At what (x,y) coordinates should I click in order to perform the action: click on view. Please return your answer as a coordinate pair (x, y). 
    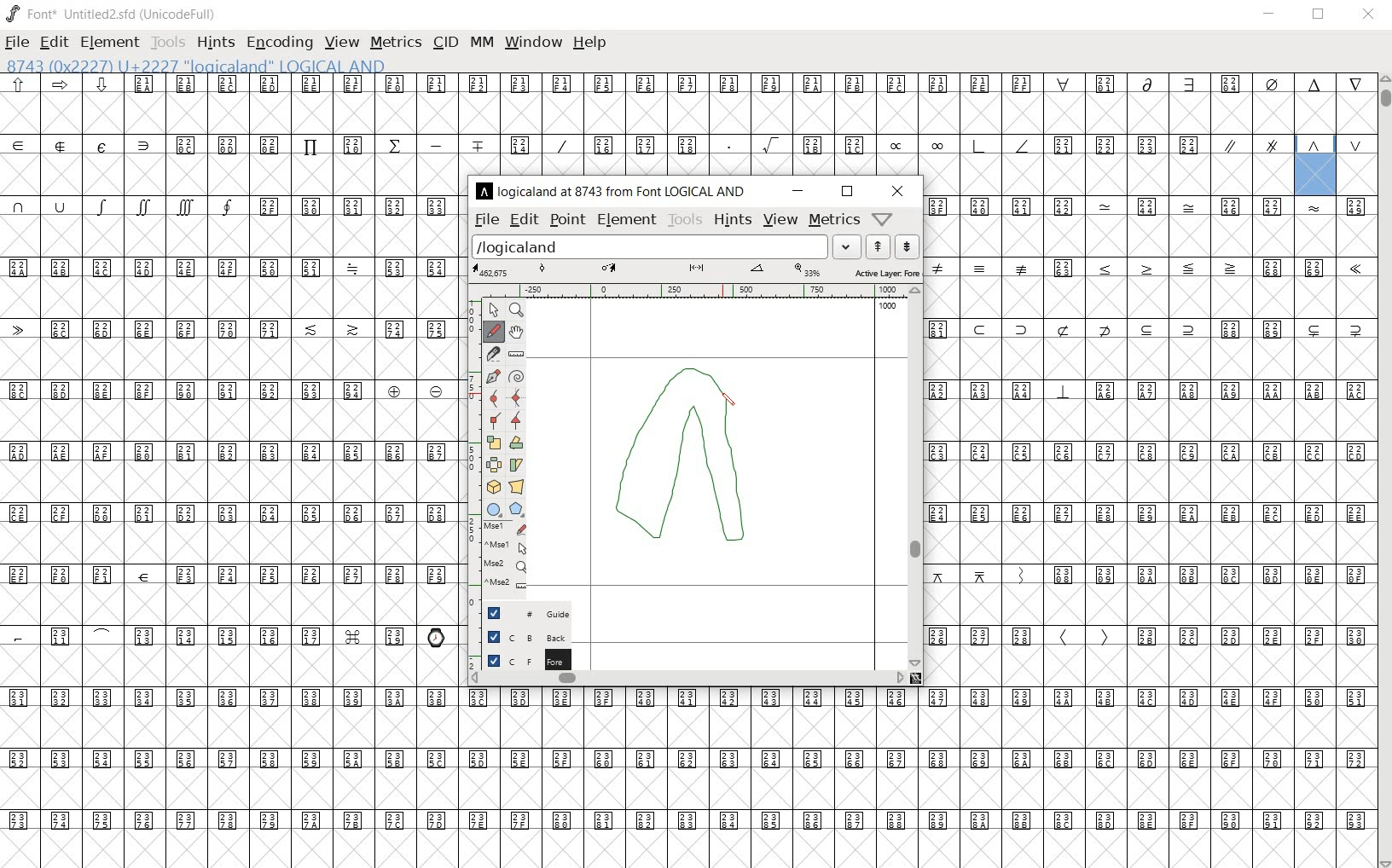
    Looking at the image, I should click on (780, 219).